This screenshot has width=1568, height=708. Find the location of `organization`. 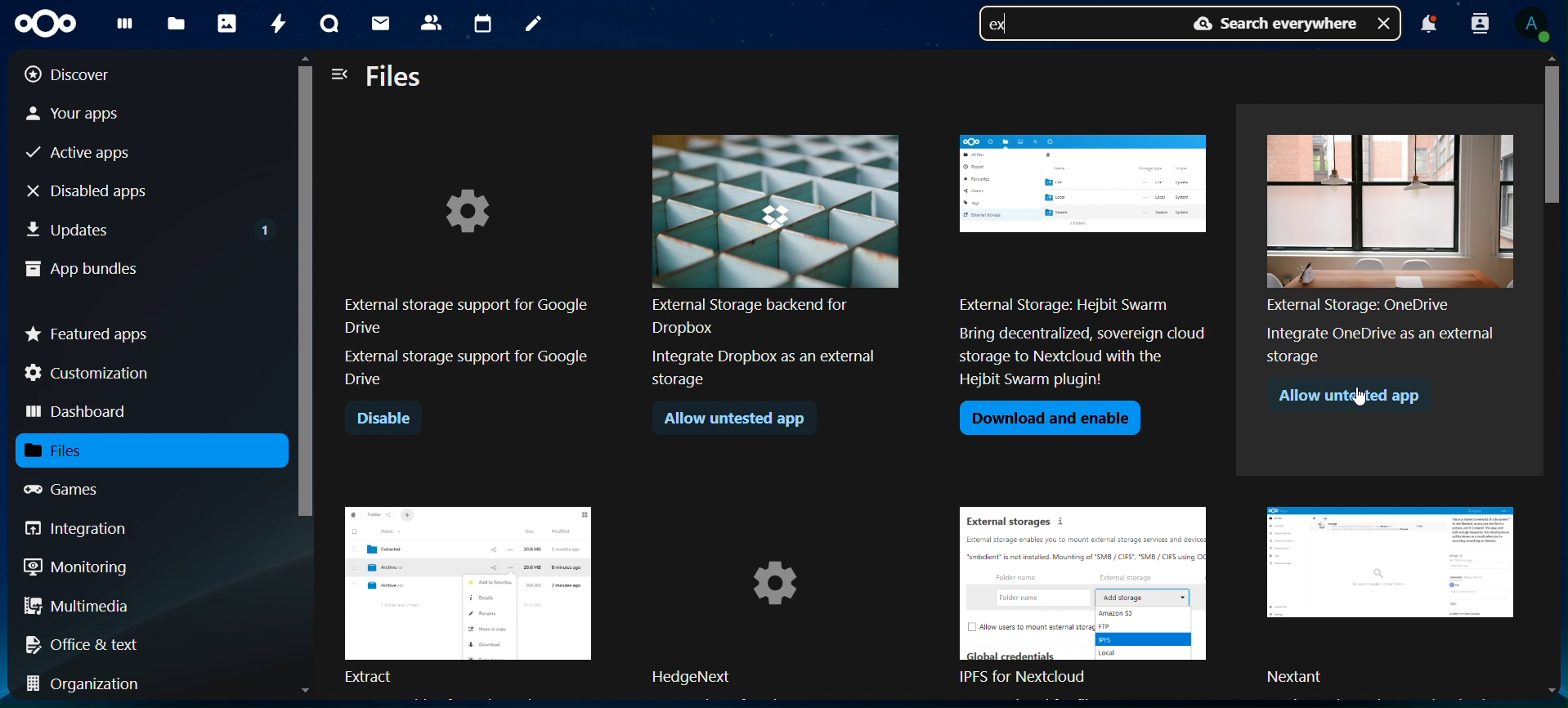

organization is located at coordinates (90, 685).